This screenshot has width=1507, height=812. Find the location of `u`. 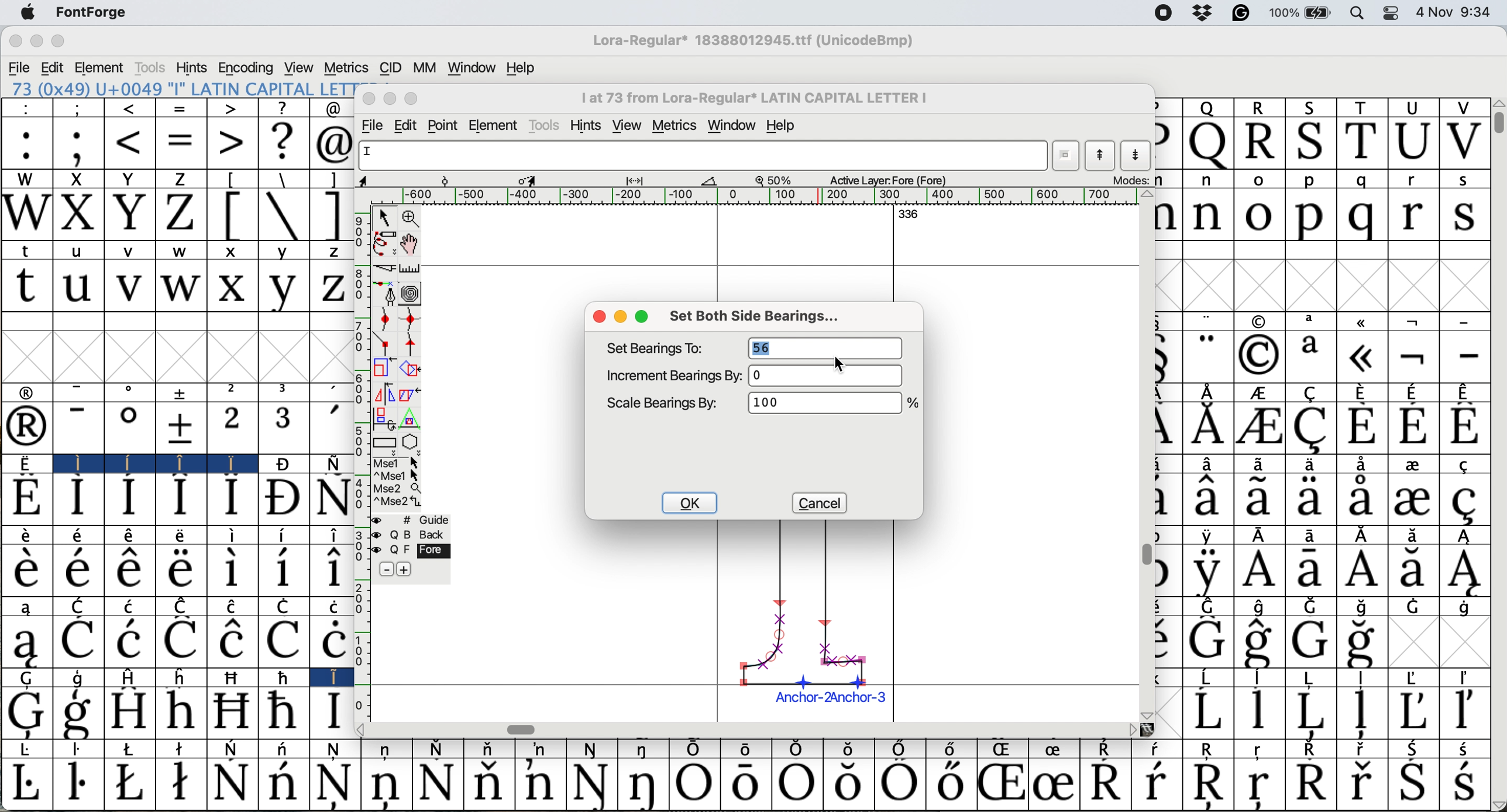

u is located at coordinates (78, 286).